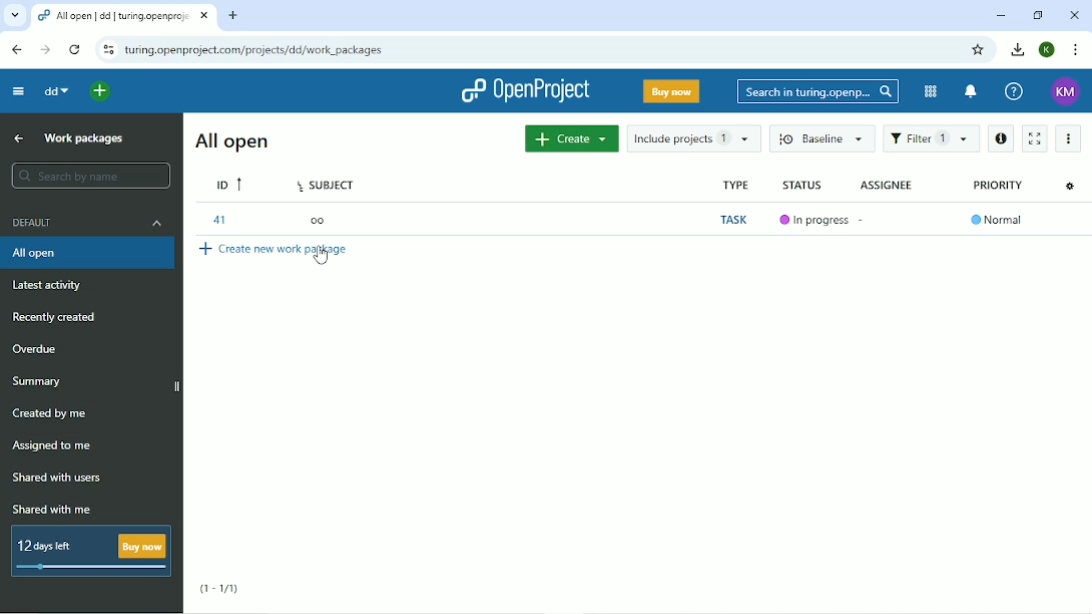 This screenshot has height=614, width=1092. I want to click on Filter 1, so click(931, 139).